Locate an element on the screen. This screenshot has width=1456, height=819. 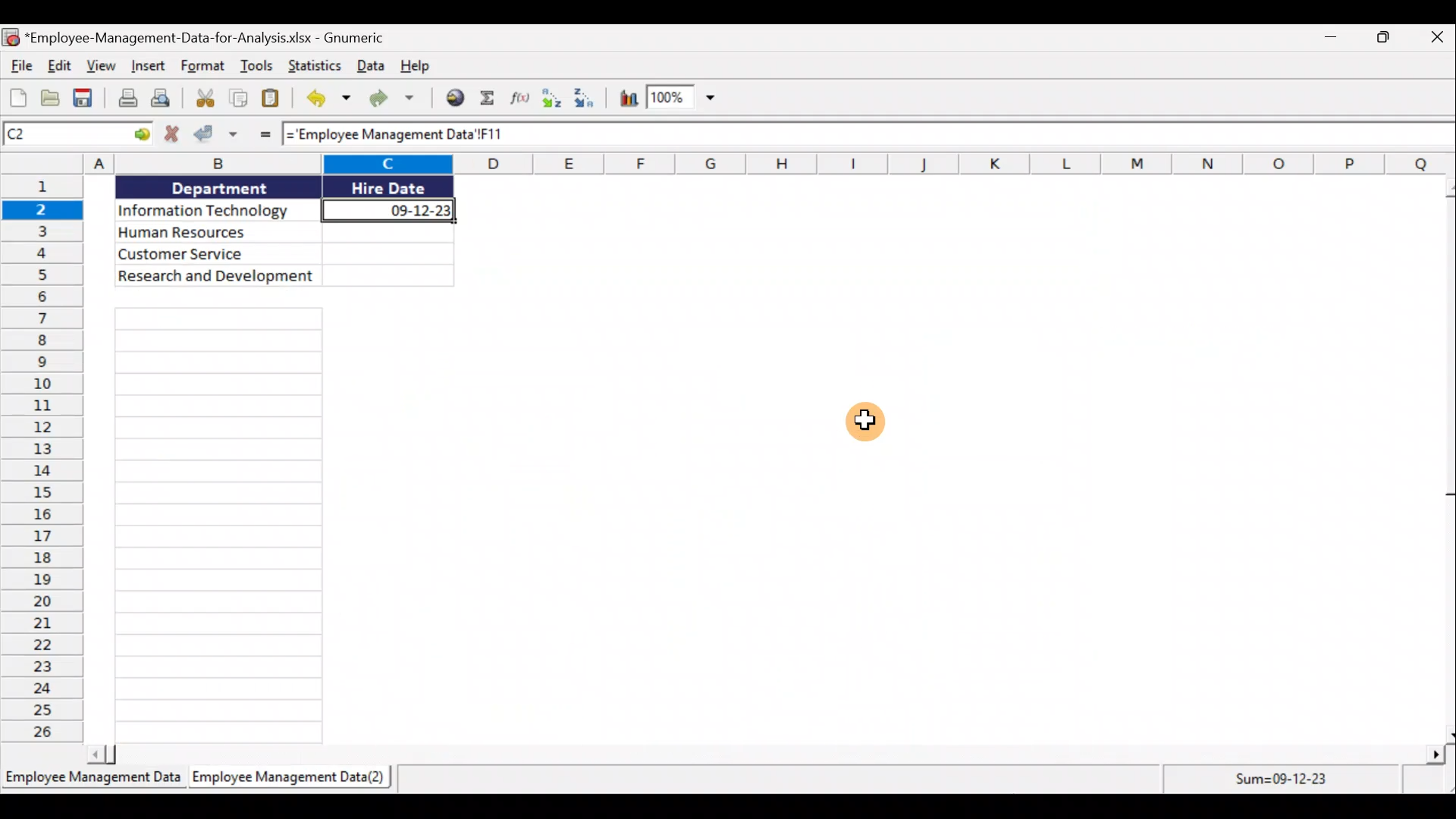
Sort Ascending is located at coordinates (554, 99).